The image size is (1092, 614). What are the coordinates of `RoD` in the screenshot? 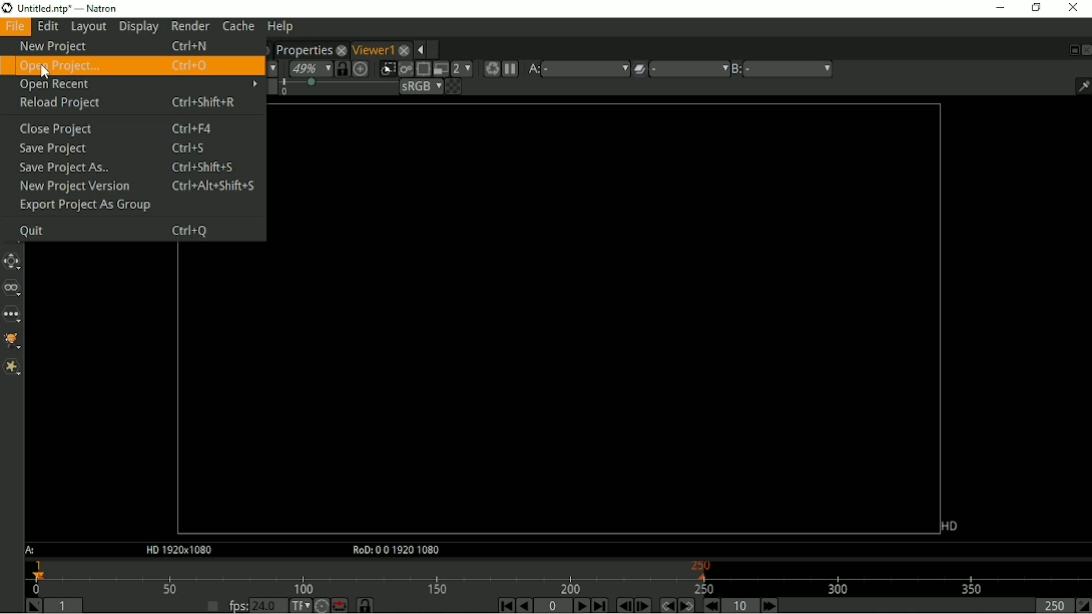 It's located at (393, 551).